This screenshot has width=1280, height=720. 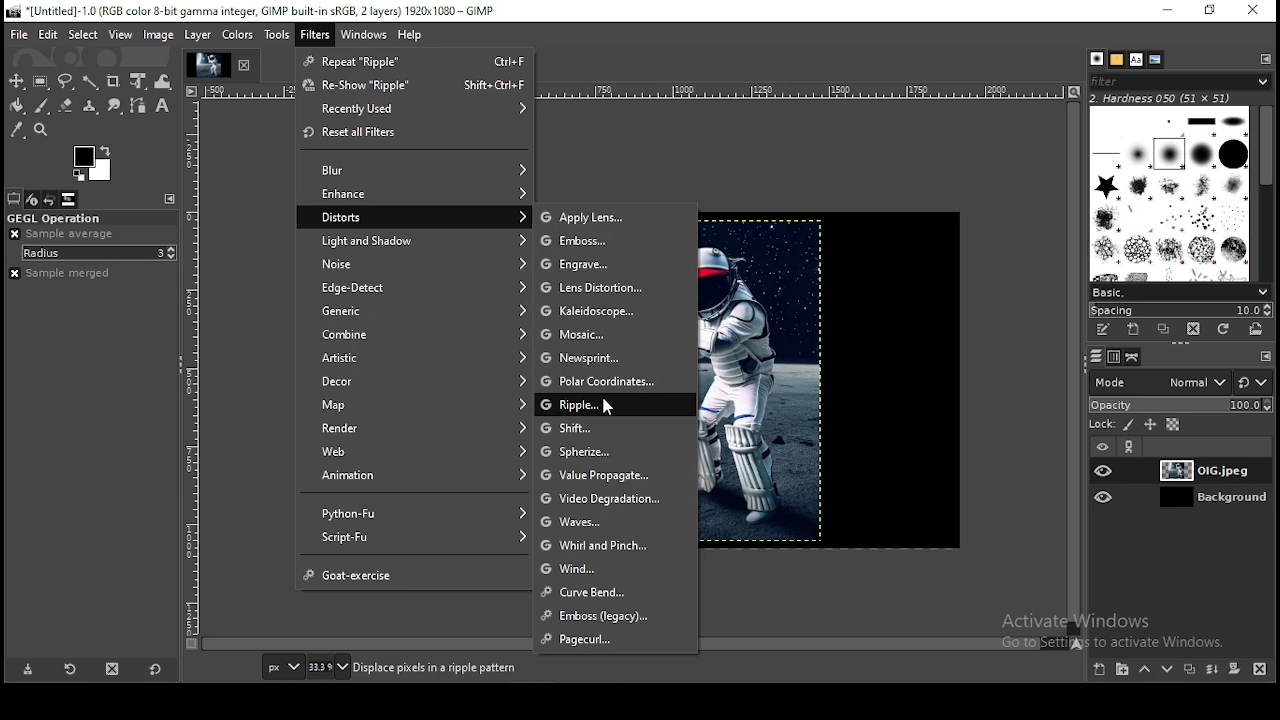 I want to click on help, so click(x=410, y=34).